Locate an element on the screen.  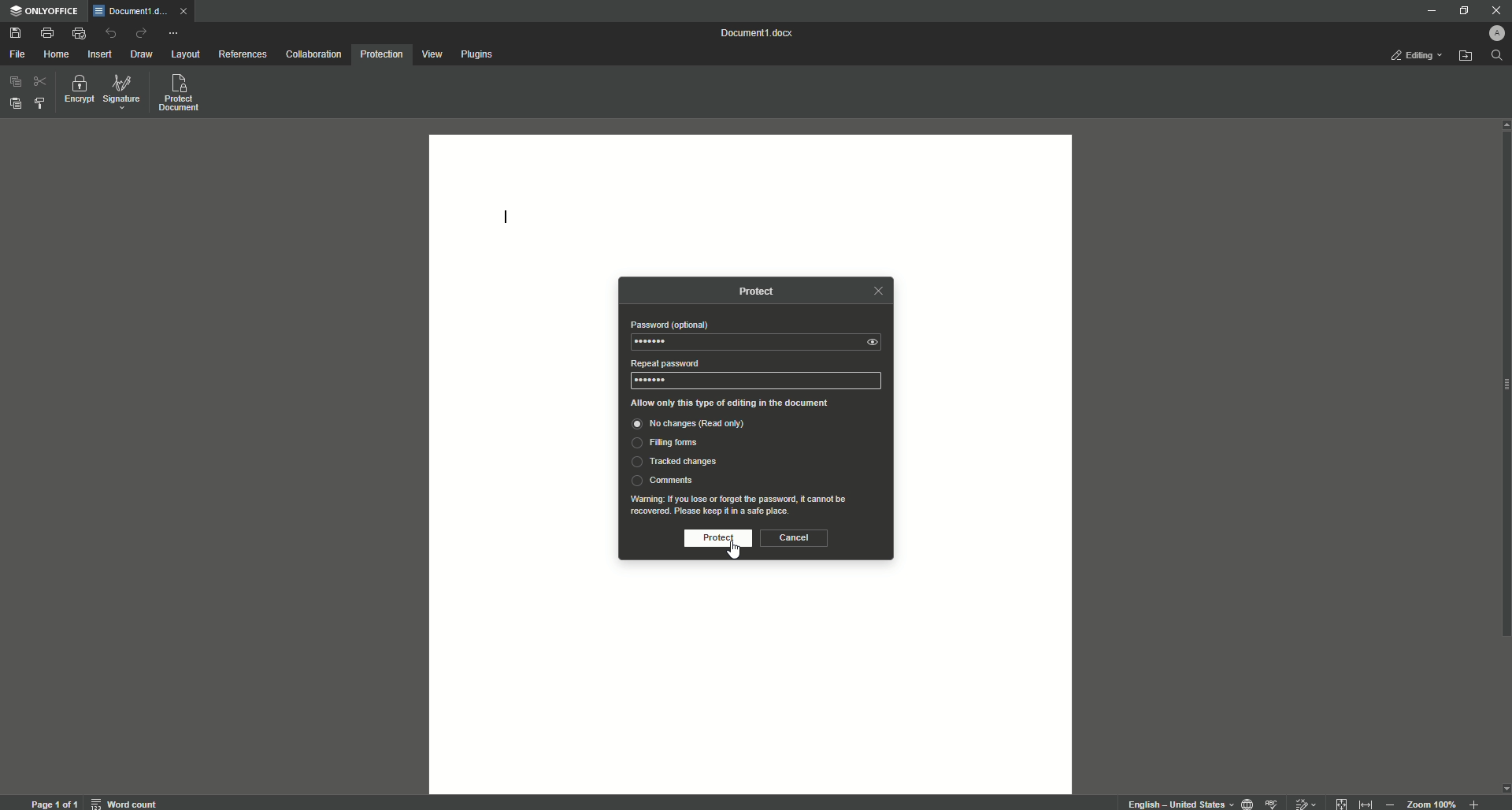
Cut is located at coordinates (39, 82).